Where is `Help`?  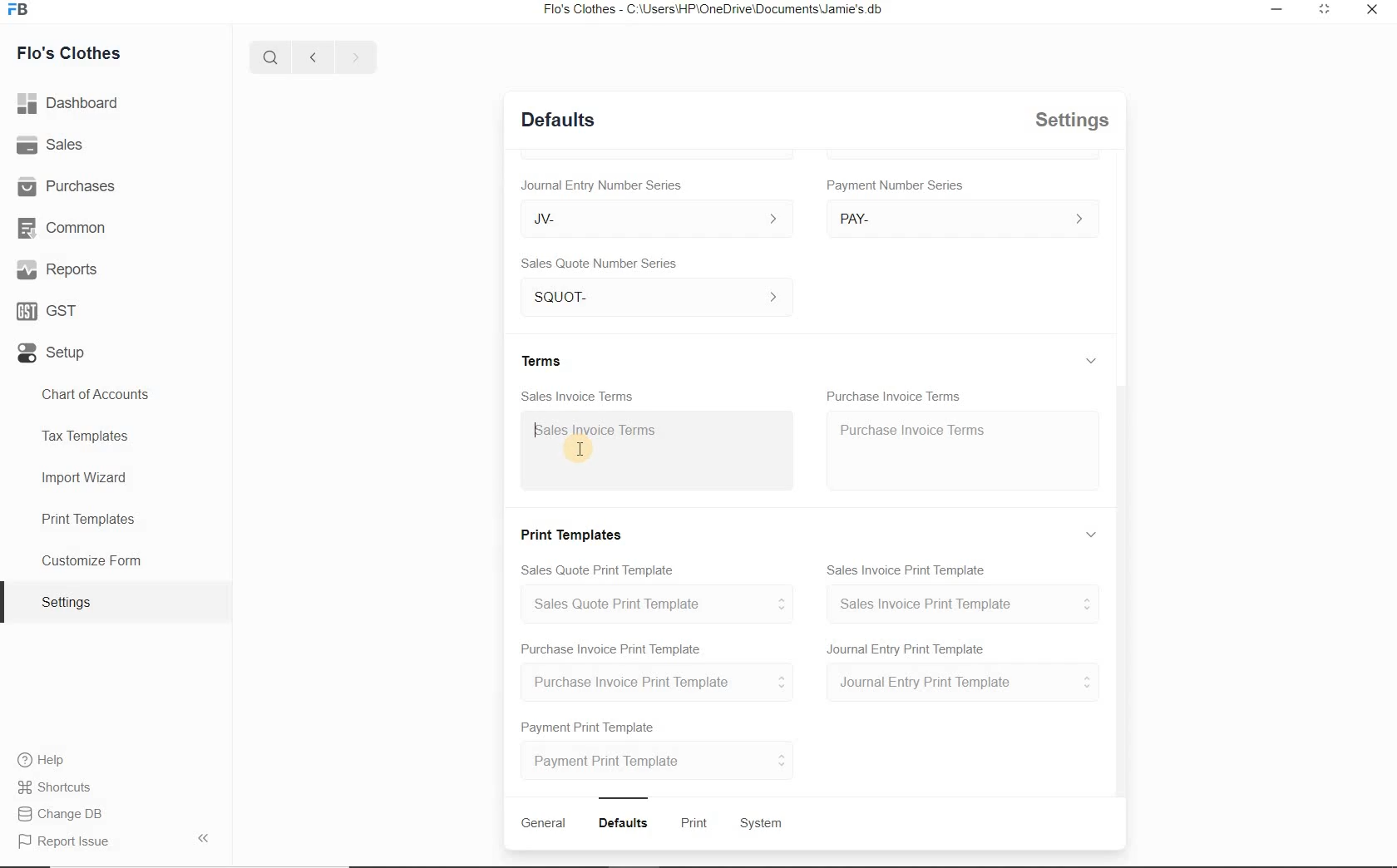
Help is located at coordinates (47, 762).